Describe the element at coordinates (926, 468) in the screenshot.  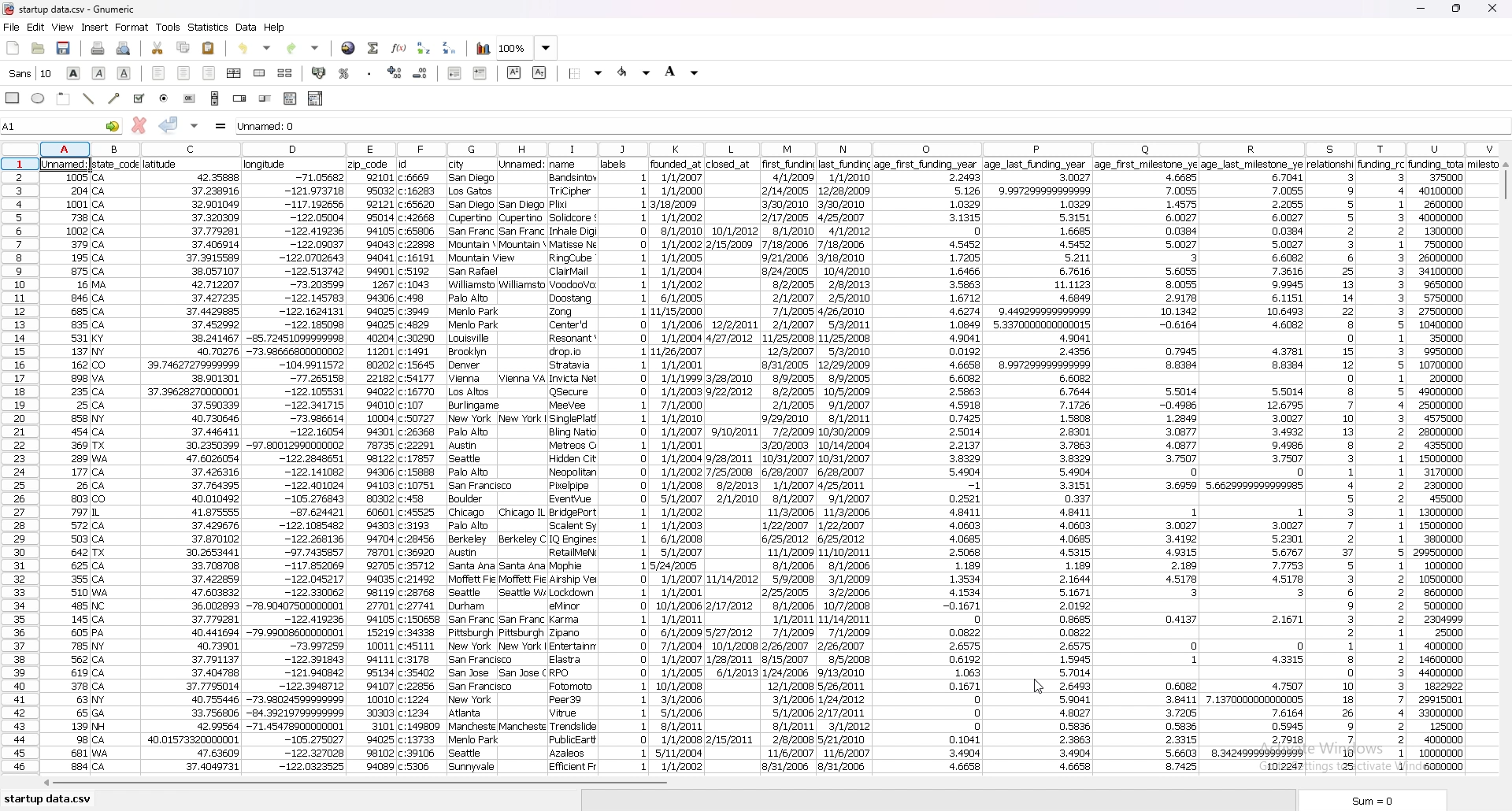
I see `data` at that location.